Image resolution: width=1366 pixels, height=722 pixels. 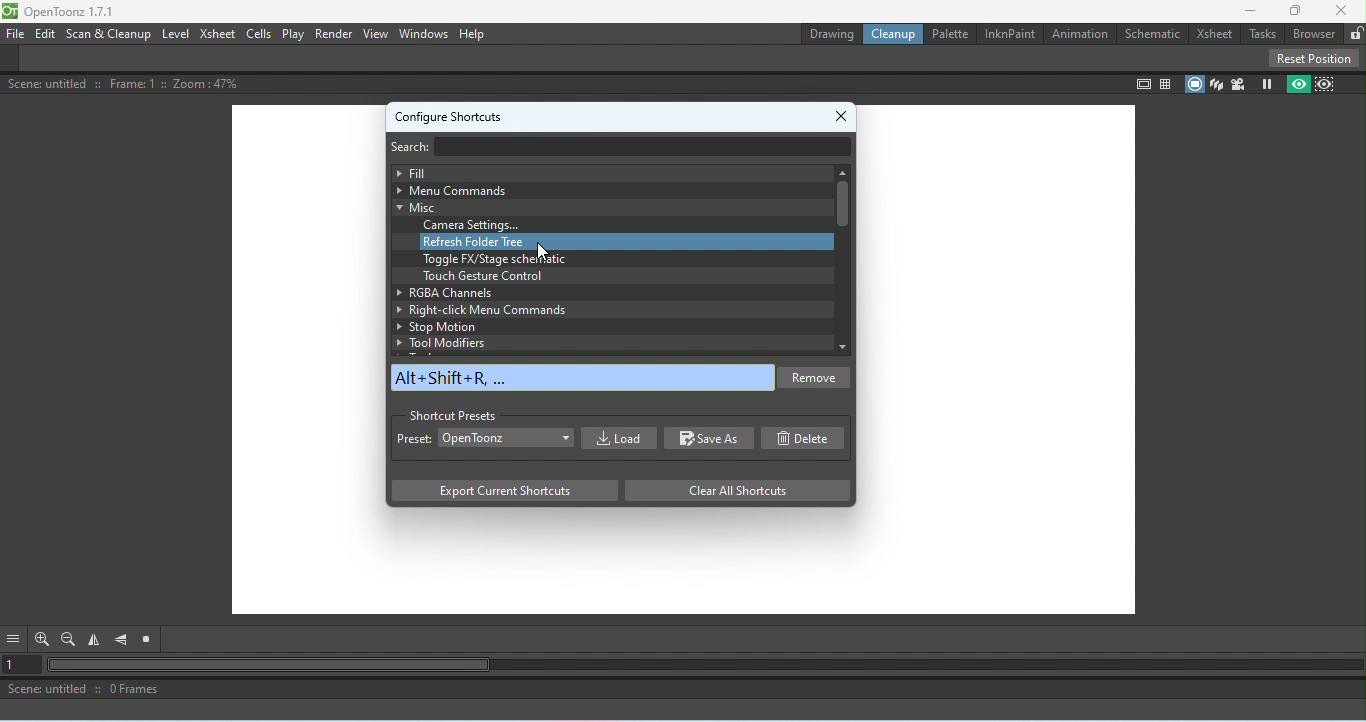 What do you see at coordinates (808, 438) in the screenshot?
I see `Delete` at bounding box center [808, 438].